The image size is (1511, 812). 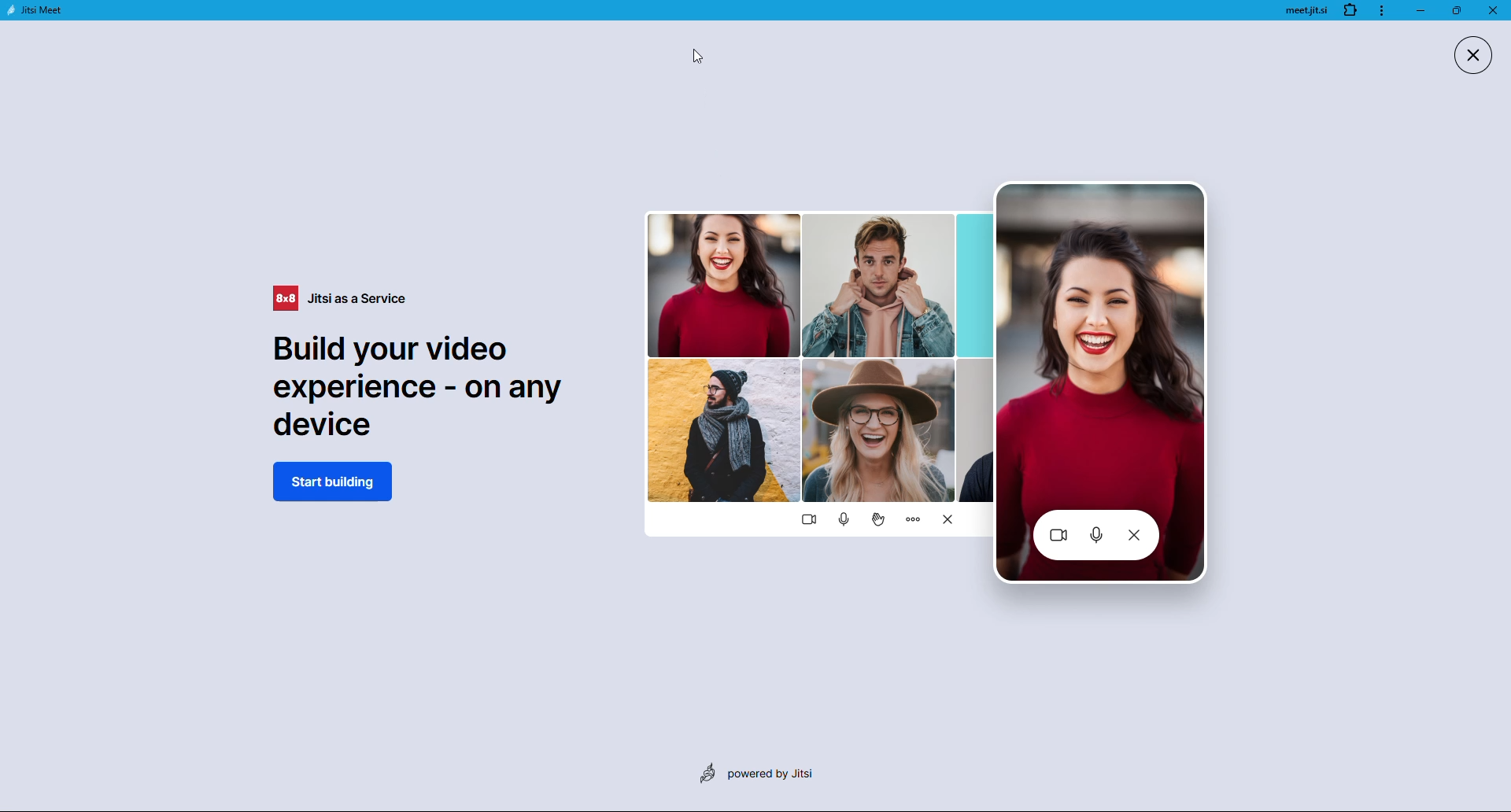 I want to click on powered by jitsi, so click(x=762, y=769).